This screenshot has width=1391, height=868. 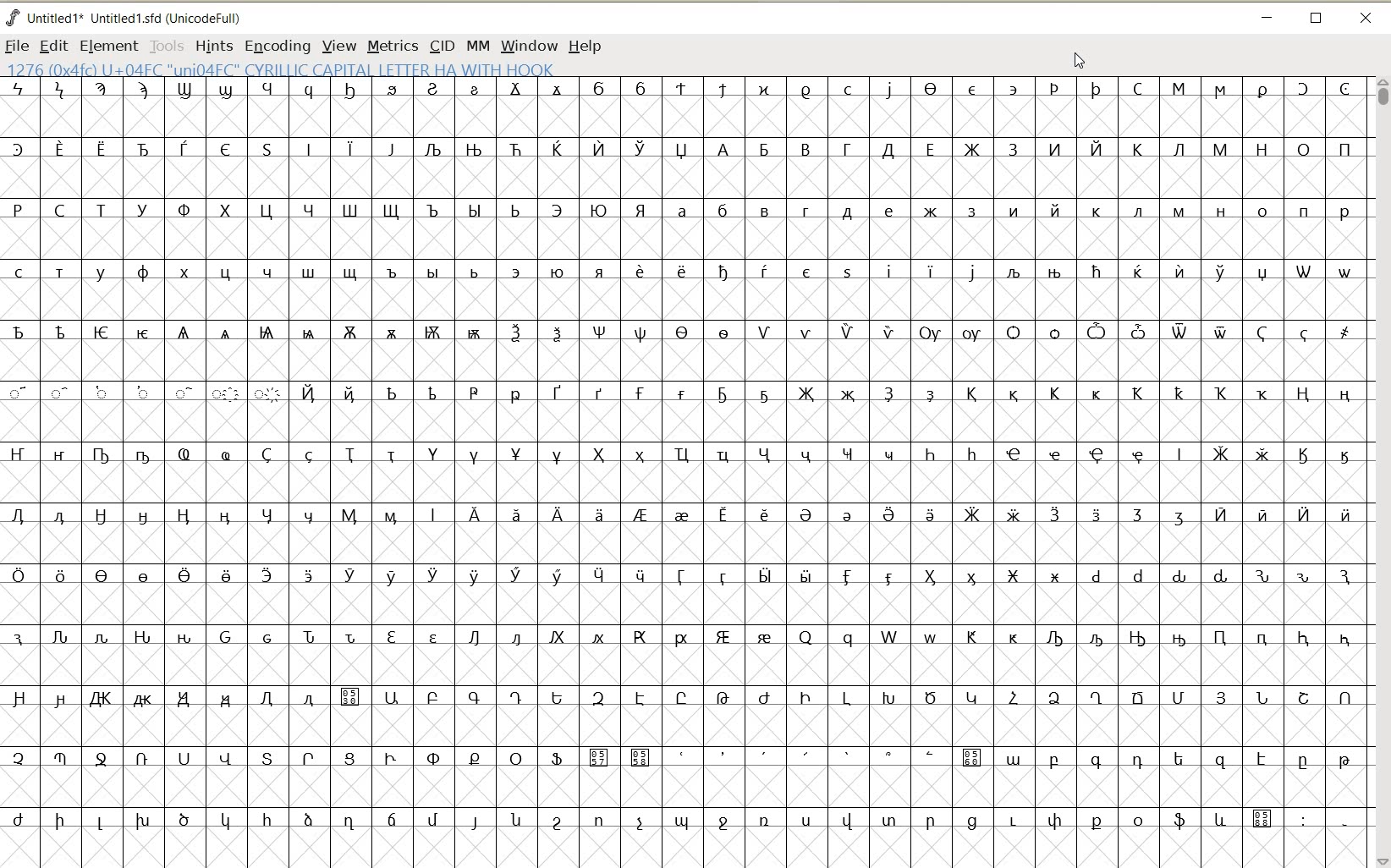 What do you see at coordinates (16, 46) in the screenshot?
I see `FILE` at bounding box center [16, 46].